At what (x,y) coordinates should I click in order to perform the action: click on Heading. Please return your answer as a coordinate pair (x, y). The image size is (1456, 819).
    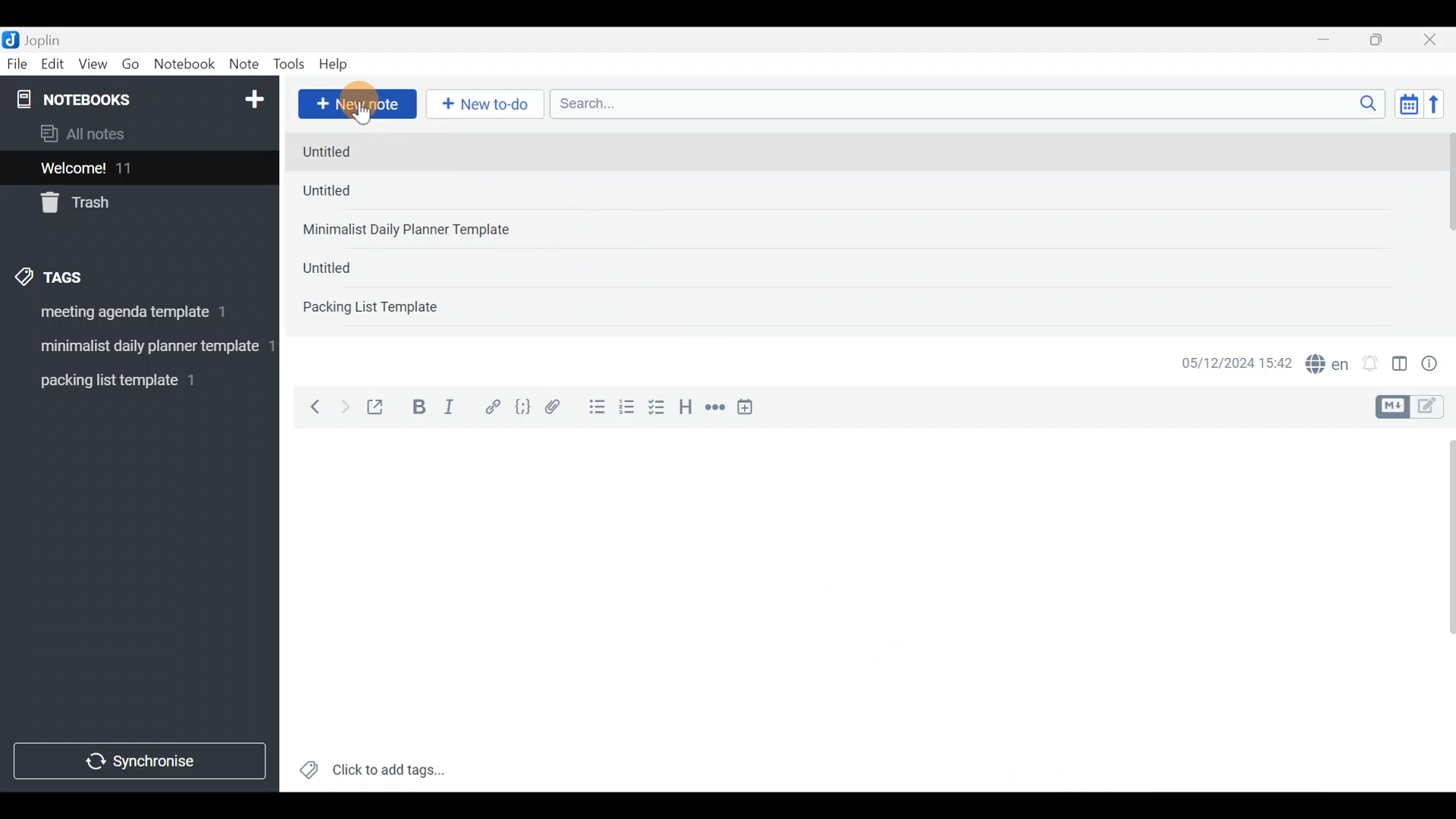
    Looking at the image, I should click on (686, 409).